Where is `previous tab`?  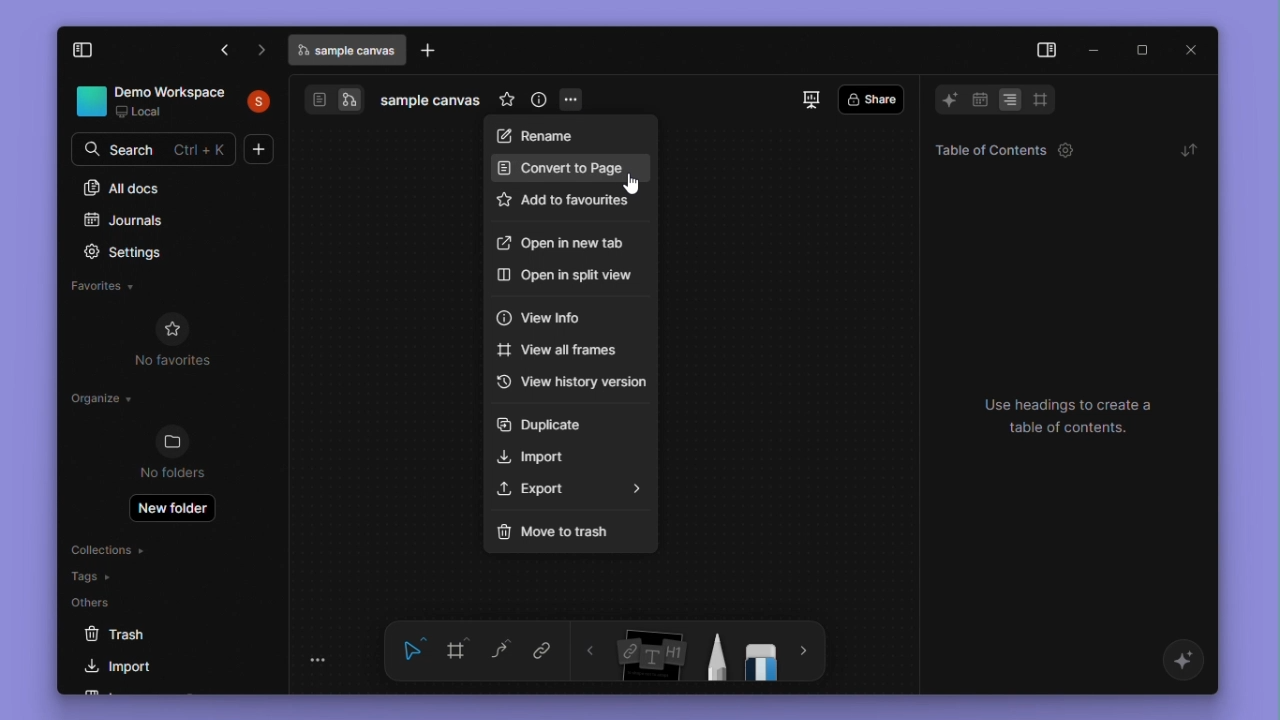 previous tab is located at coordinates (226, 52).